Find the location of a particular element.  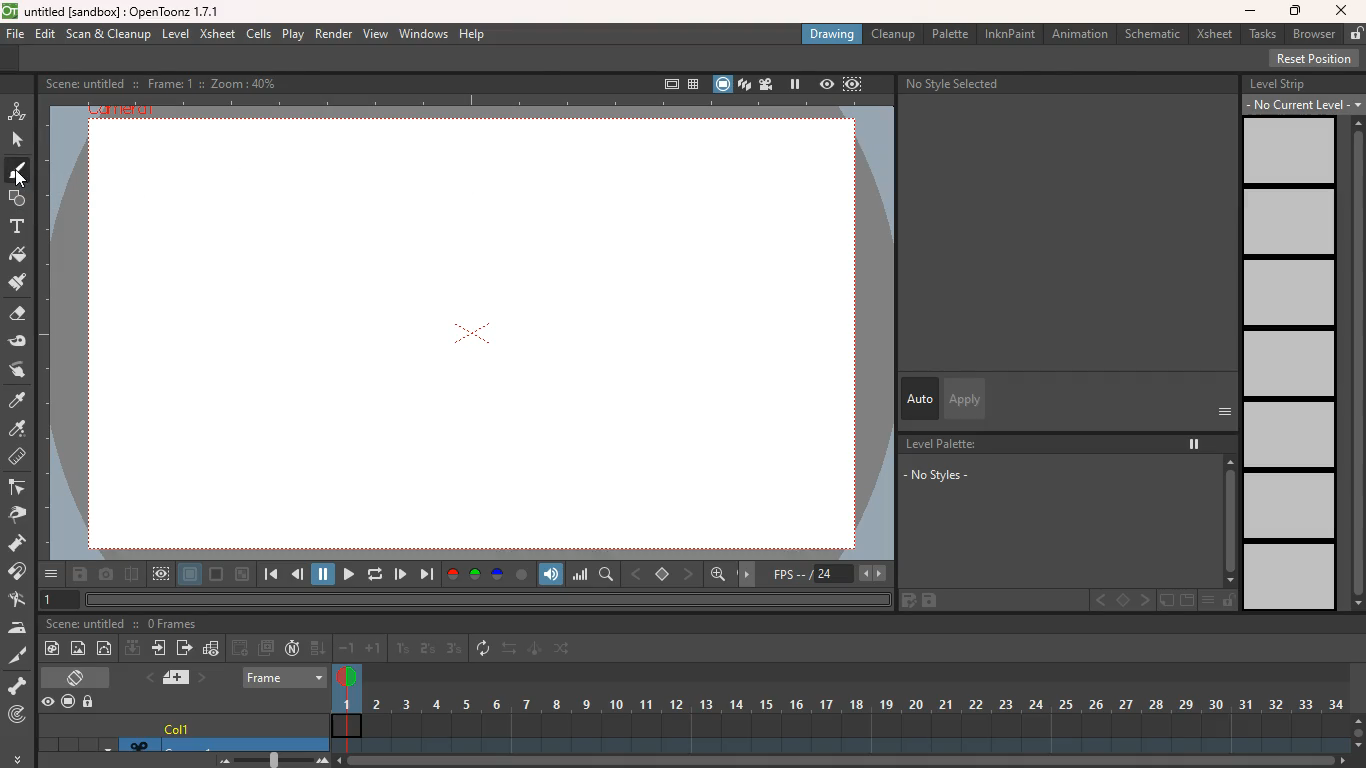

animation is located at coordinates (1080, 34).